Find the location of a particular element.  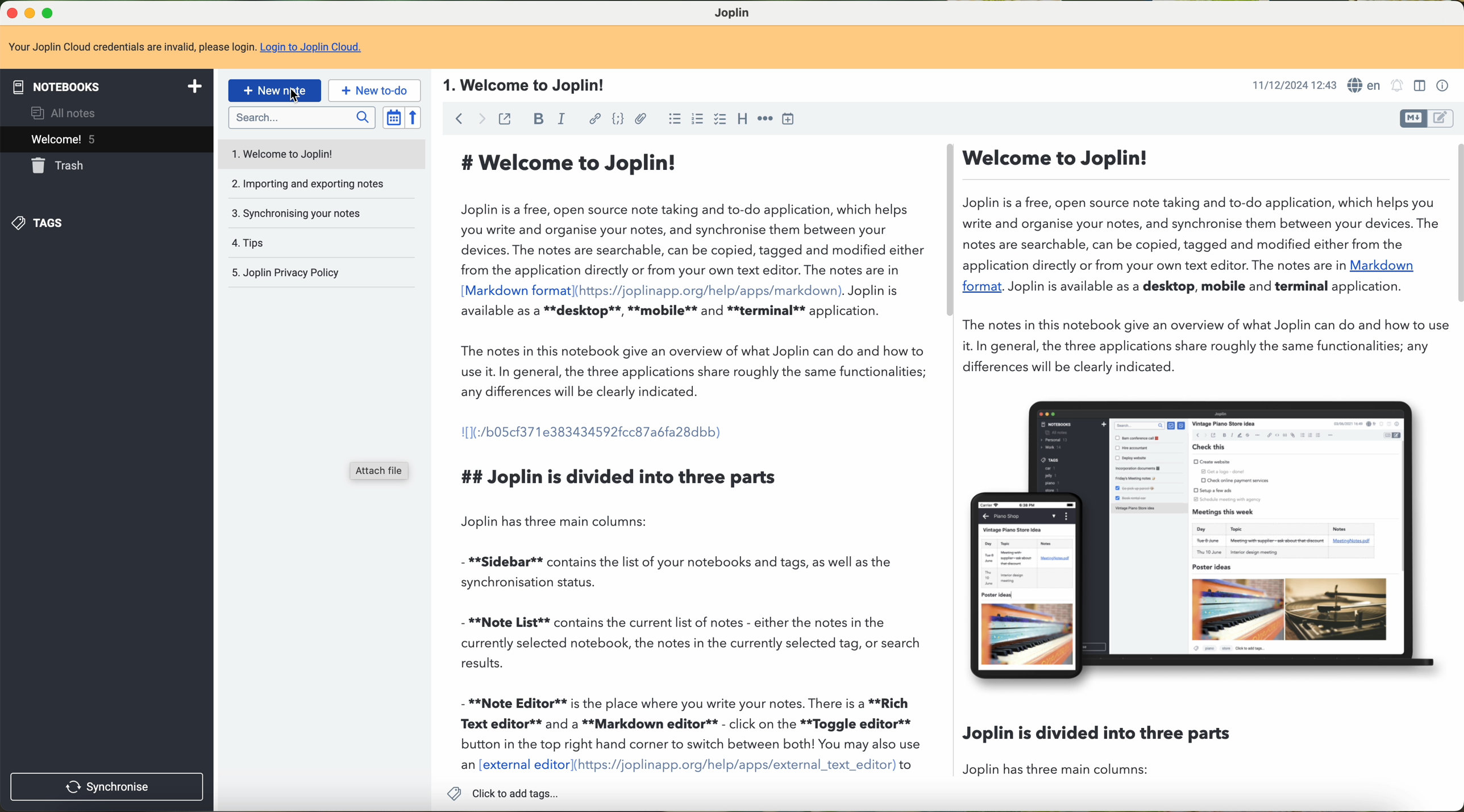

hyperlink is located at coordinates (595, 118).